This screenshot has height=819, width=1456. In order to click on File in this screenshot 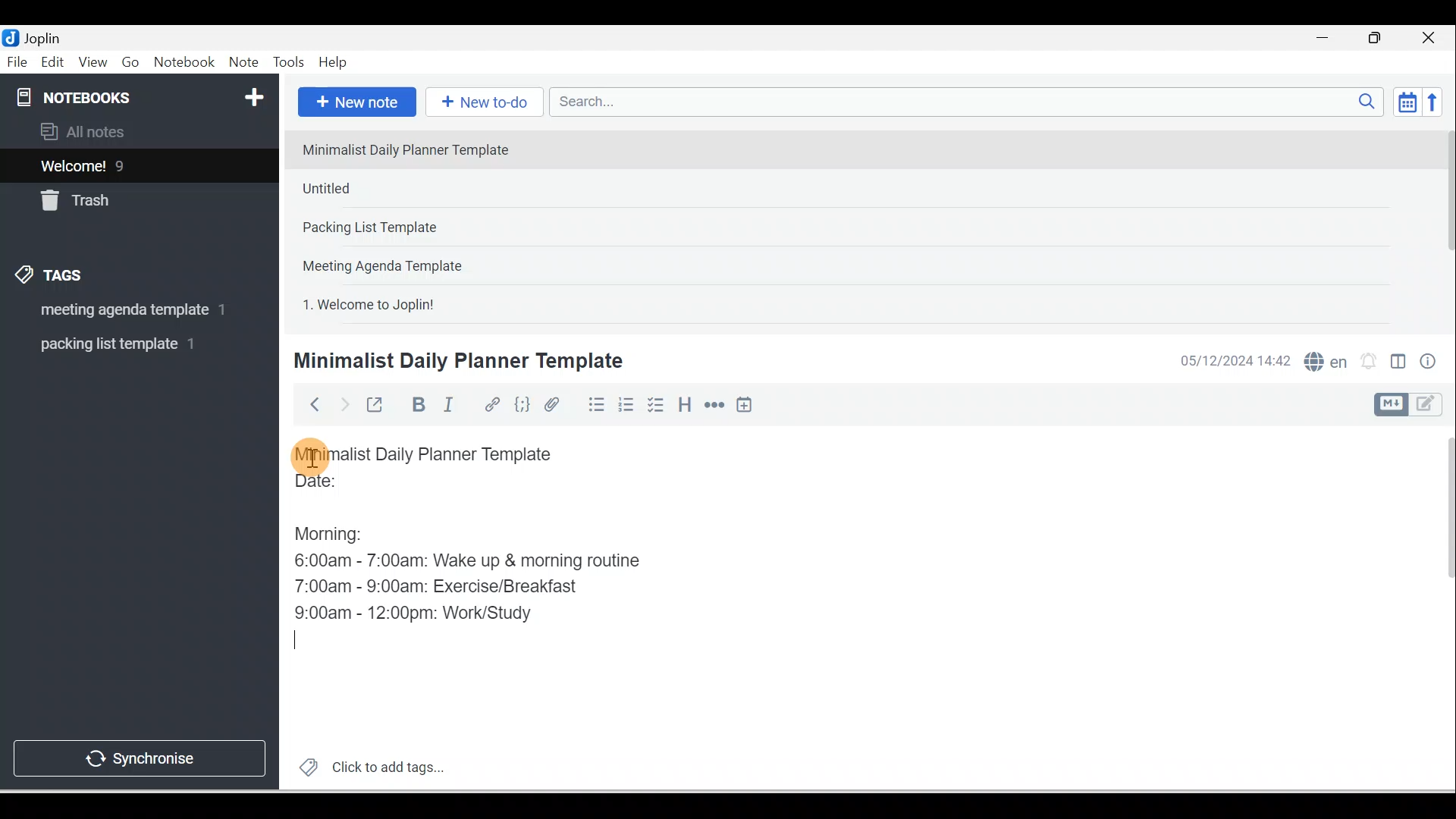, I will do `click(18, 61)`.